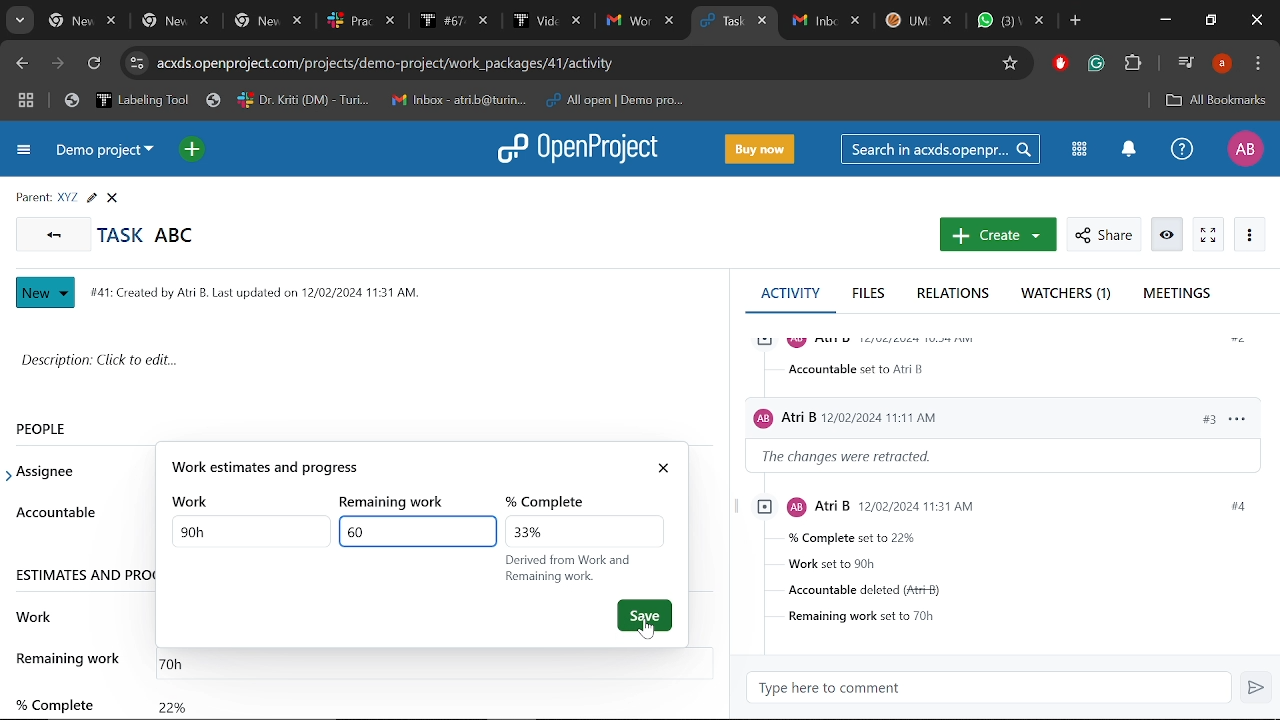  What do you see at coordinates (115, 198) in the screenshot?
I see `CLose` at bounding box center [115, 198].